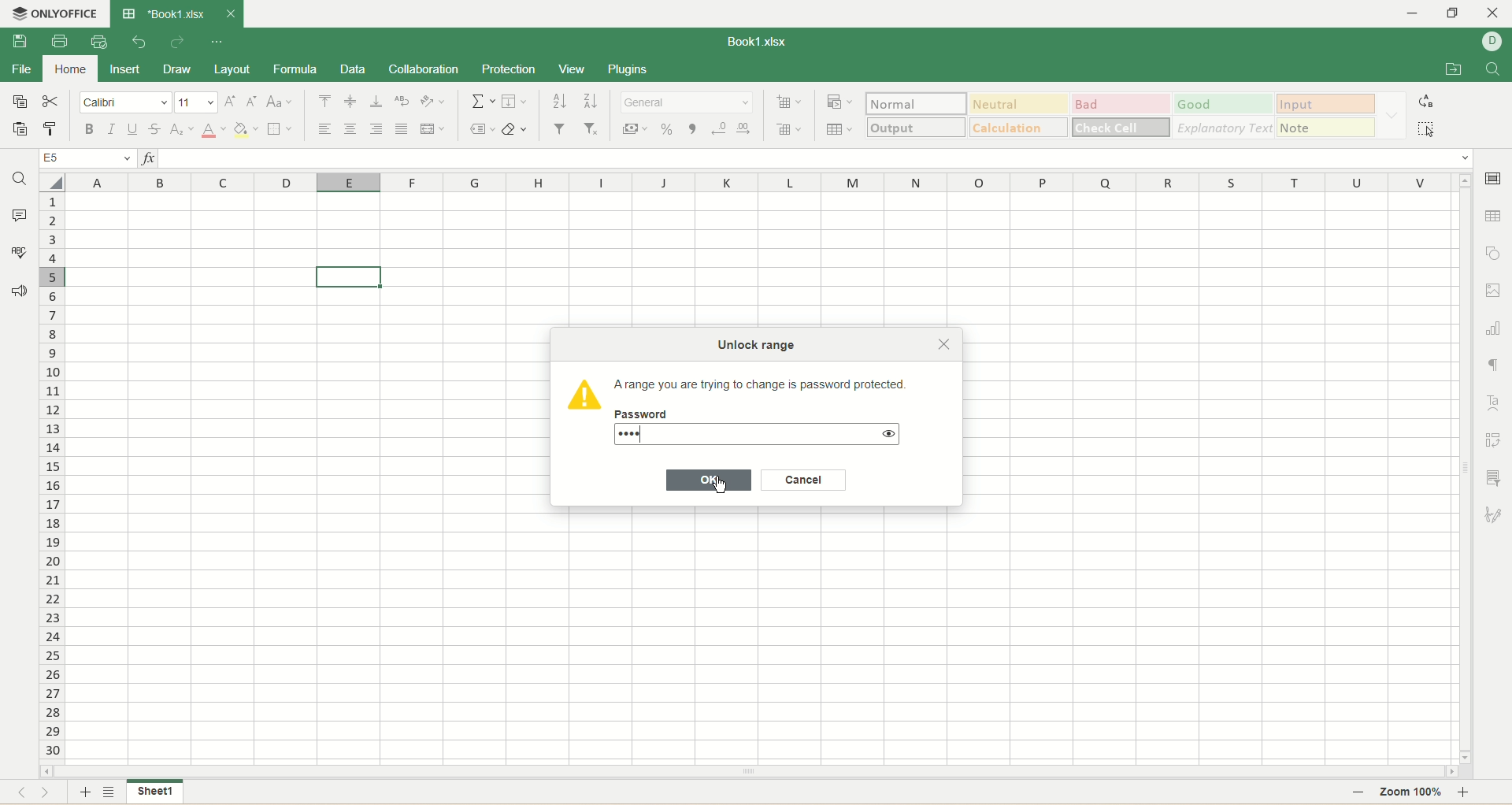  What do you see at coordinates (1121, 127) in the screenshot?
I see `check cell` at bounding box center [1121, 127].